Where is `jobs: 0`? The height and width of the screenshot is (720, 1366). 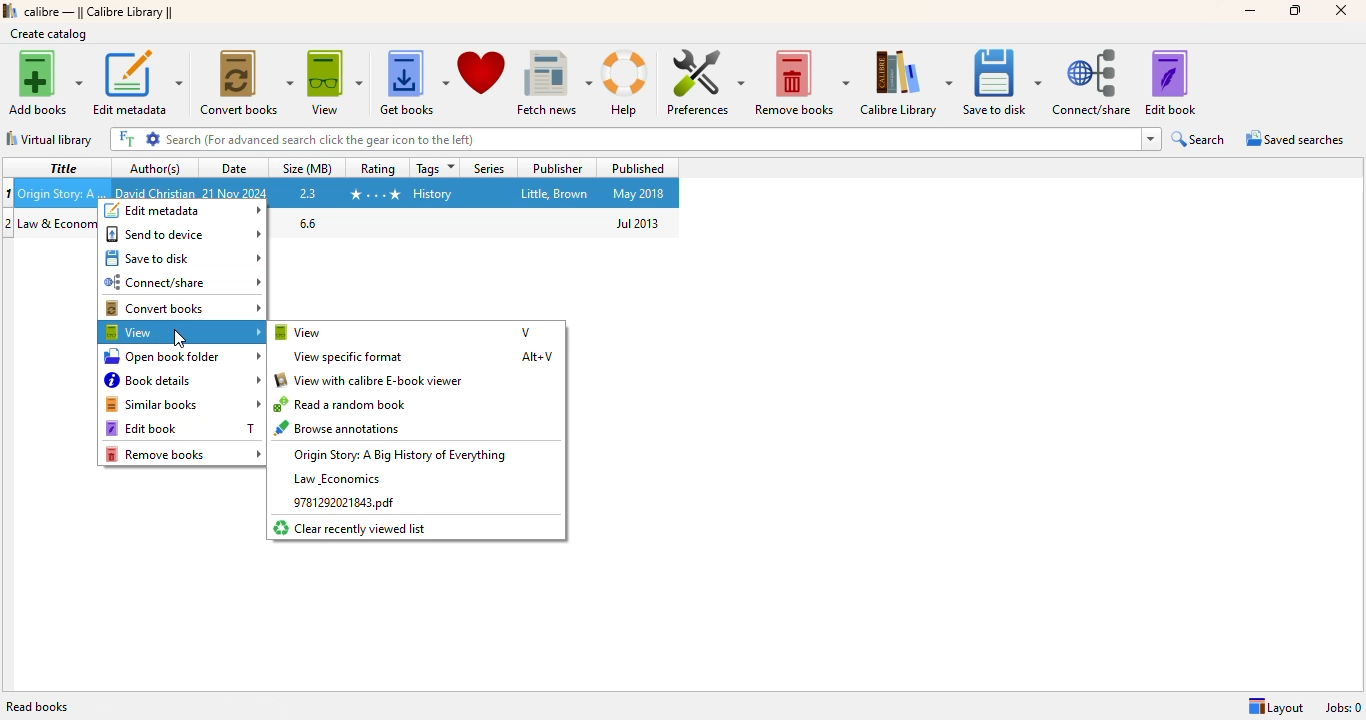
jobs: 0 is located at coordinates (1344, 708).